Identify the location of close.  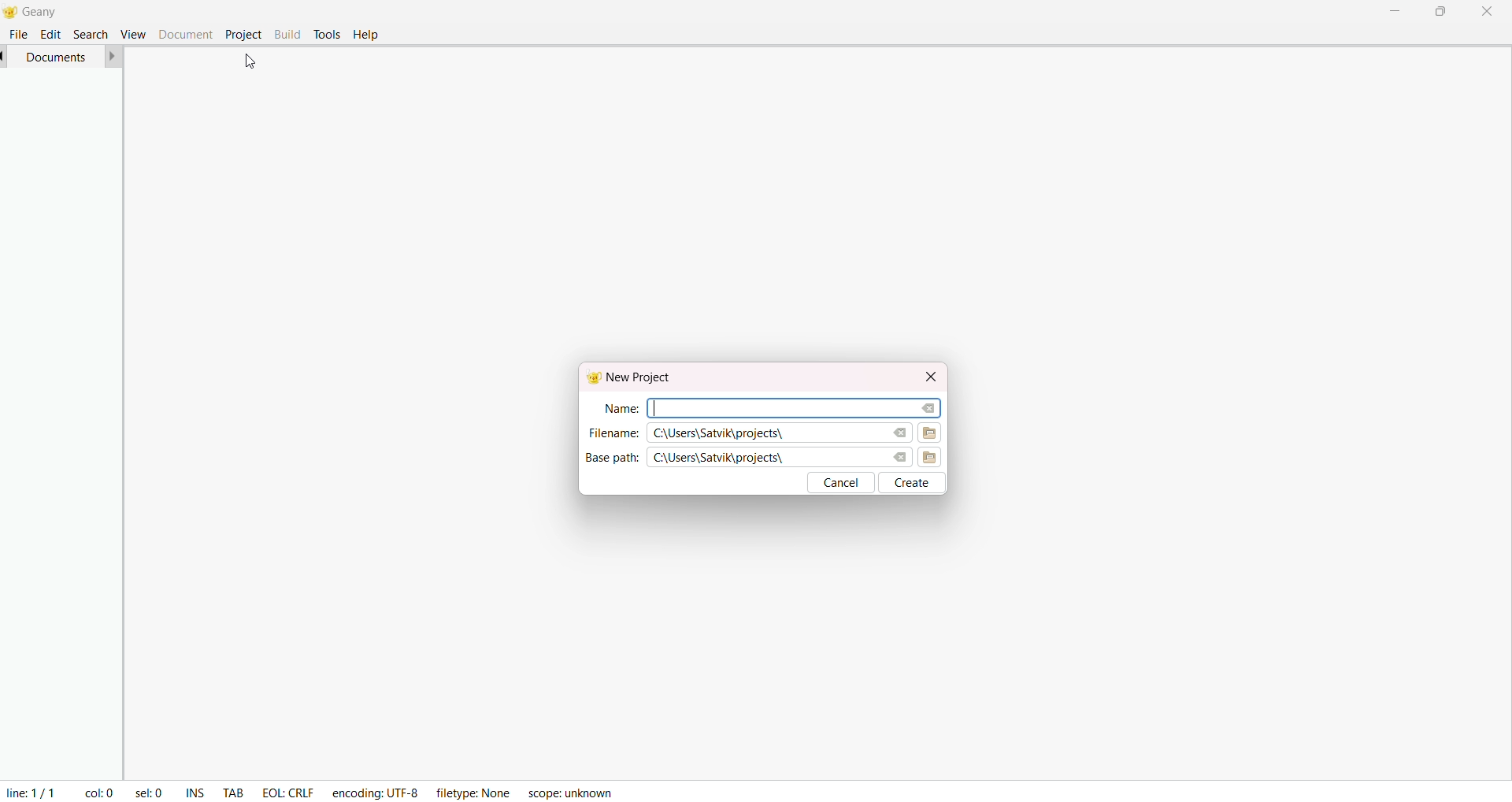
(925, 374).